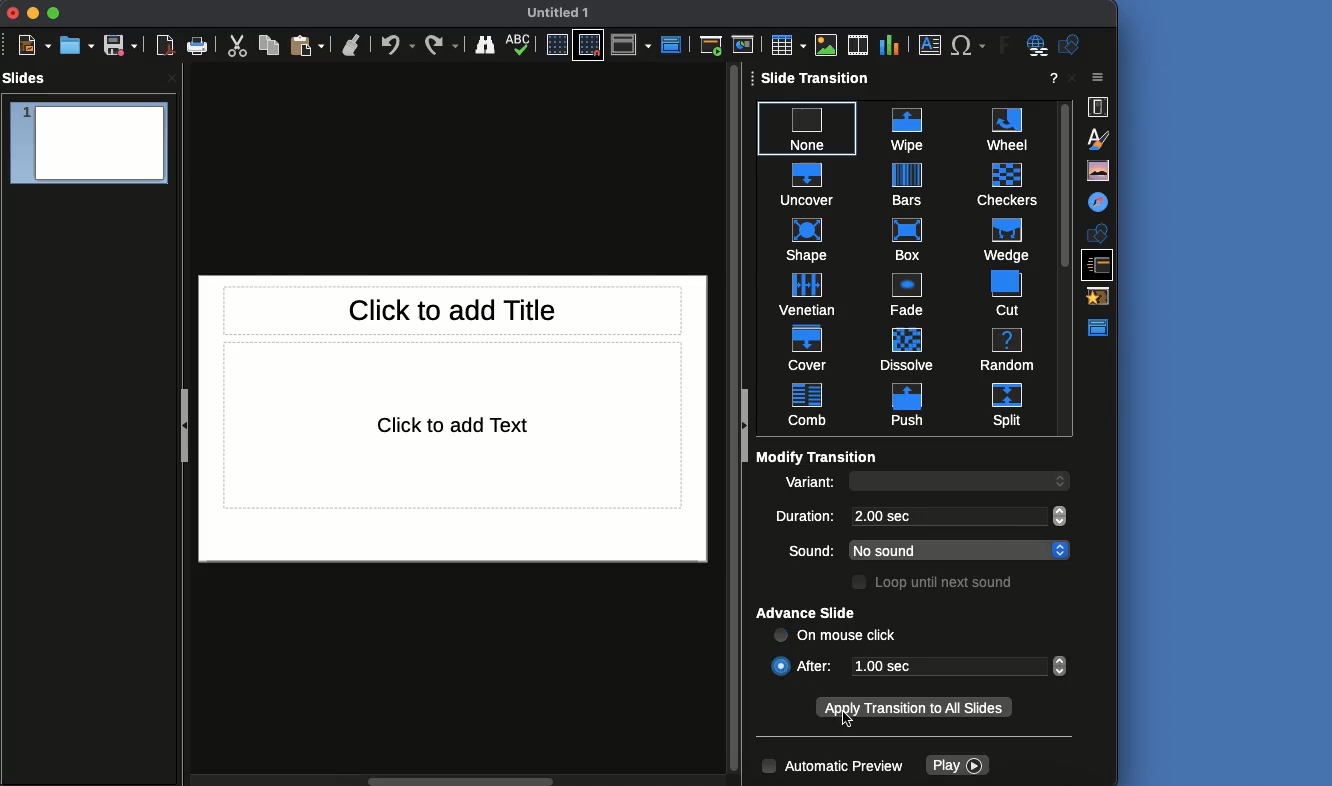 The width and height of the screenshot is (1332, 786). I want to click on cut, so click(997, 291).